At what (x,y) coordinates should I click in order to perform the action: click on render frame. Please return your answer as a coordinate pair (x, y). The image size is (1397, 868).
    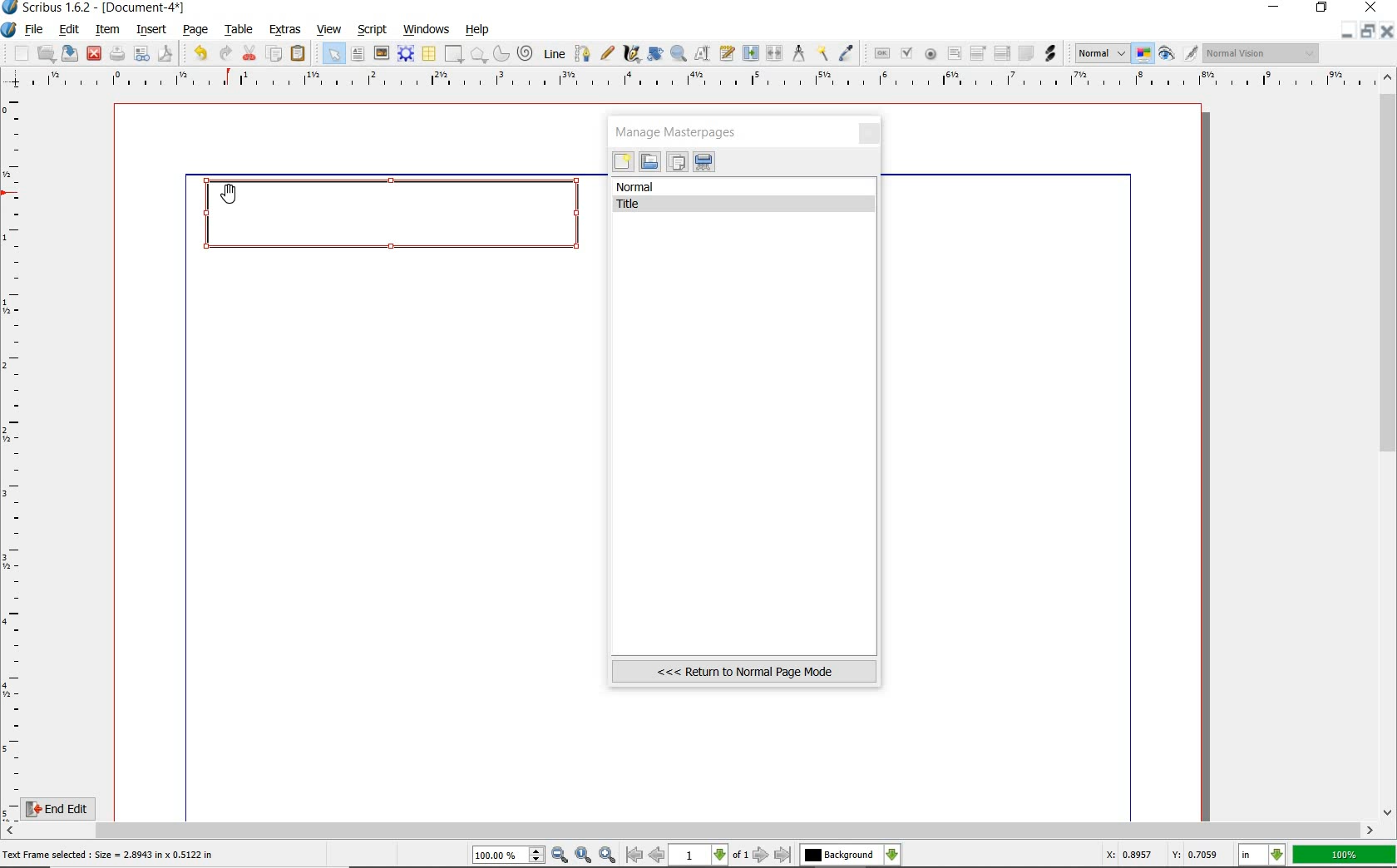
    Looking at the image, I should click on (406, 53).